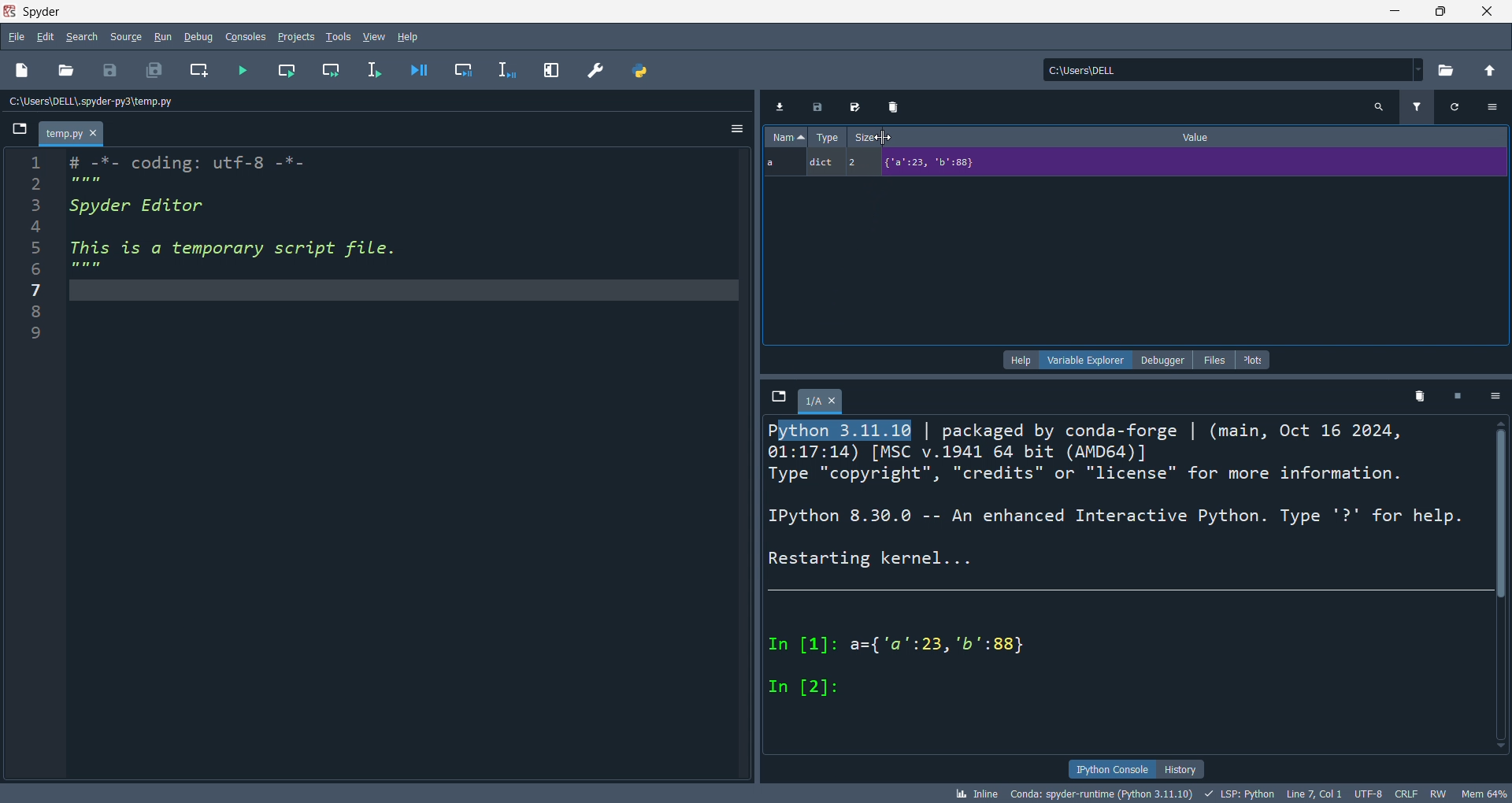 The width and height of the screenshot is (1512, 803). I want to click on maximize, so click(1440, 13).